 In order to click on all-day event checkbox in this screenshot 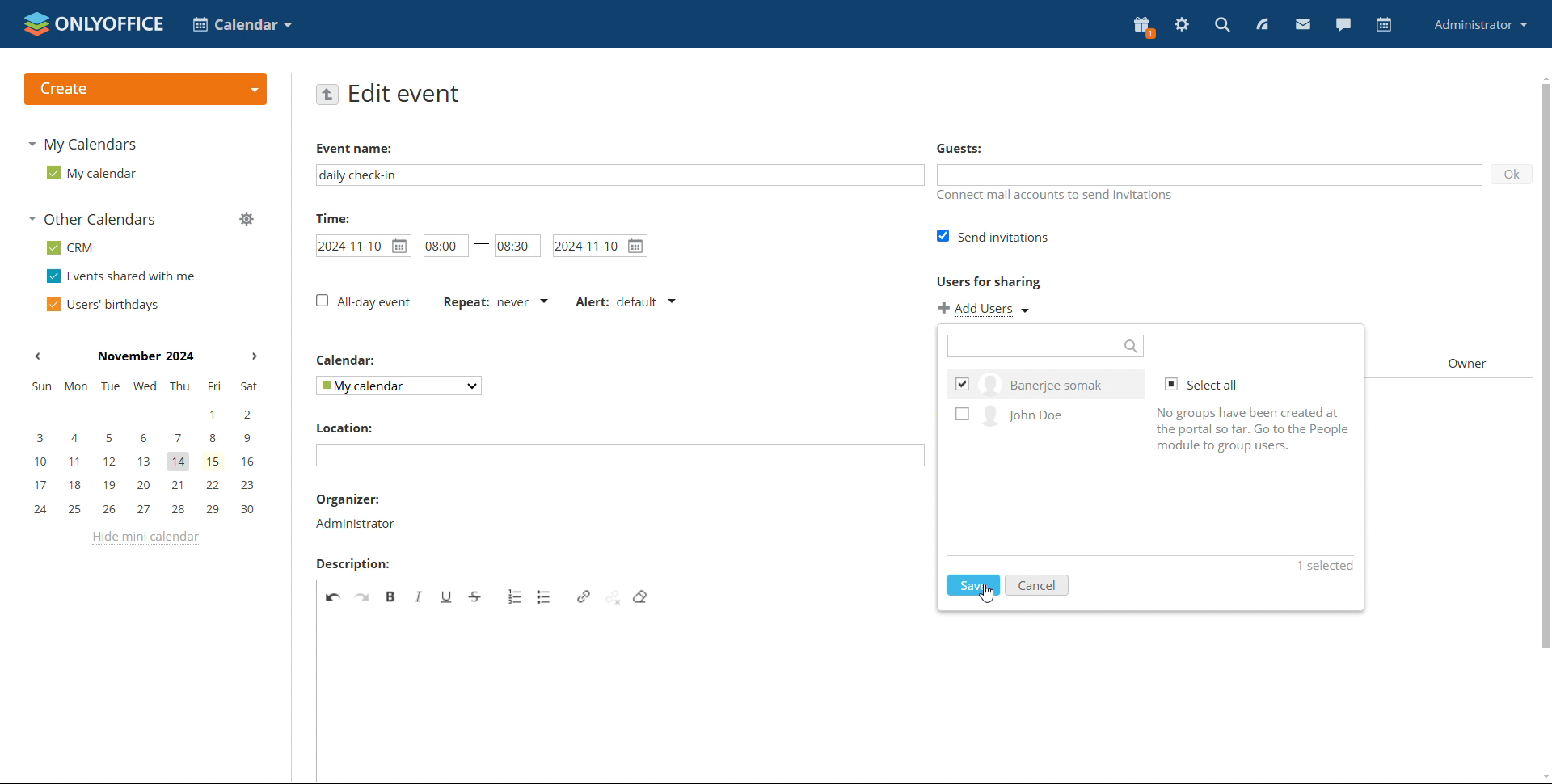, I will do `click(363, 301)`.